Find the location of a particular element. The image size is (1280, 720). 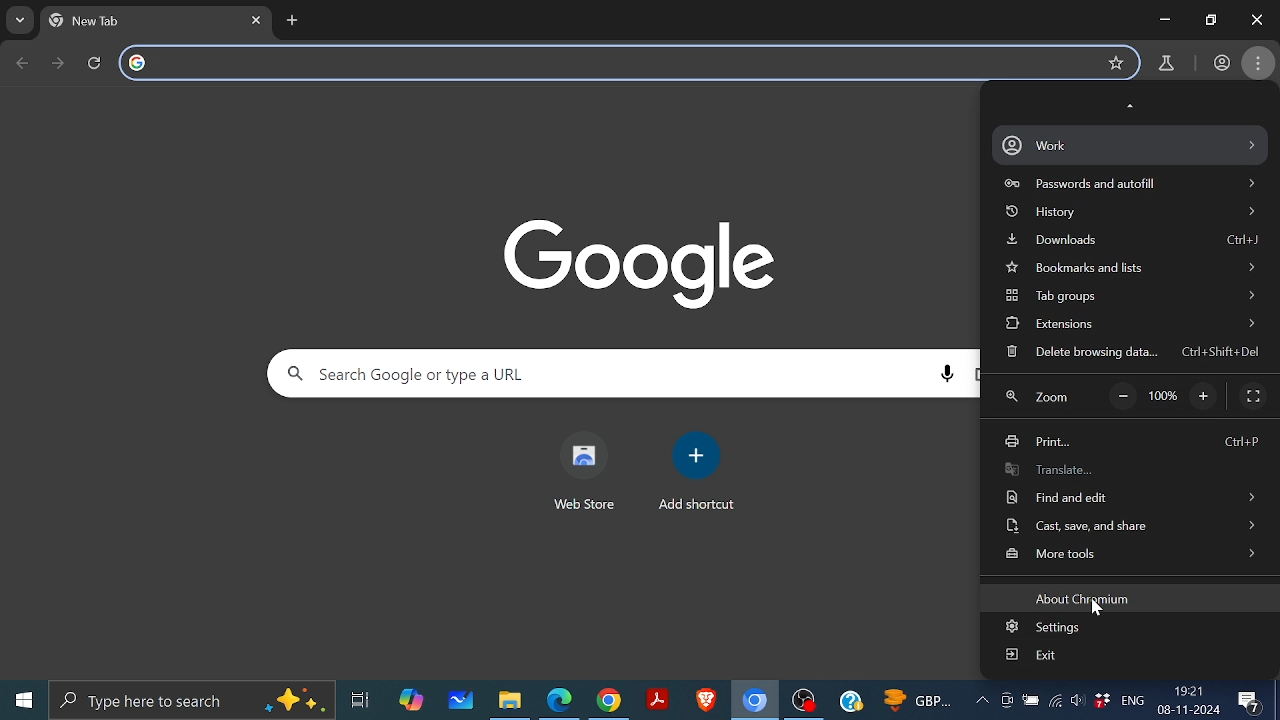

GBP is located at coordinates (921, 702).